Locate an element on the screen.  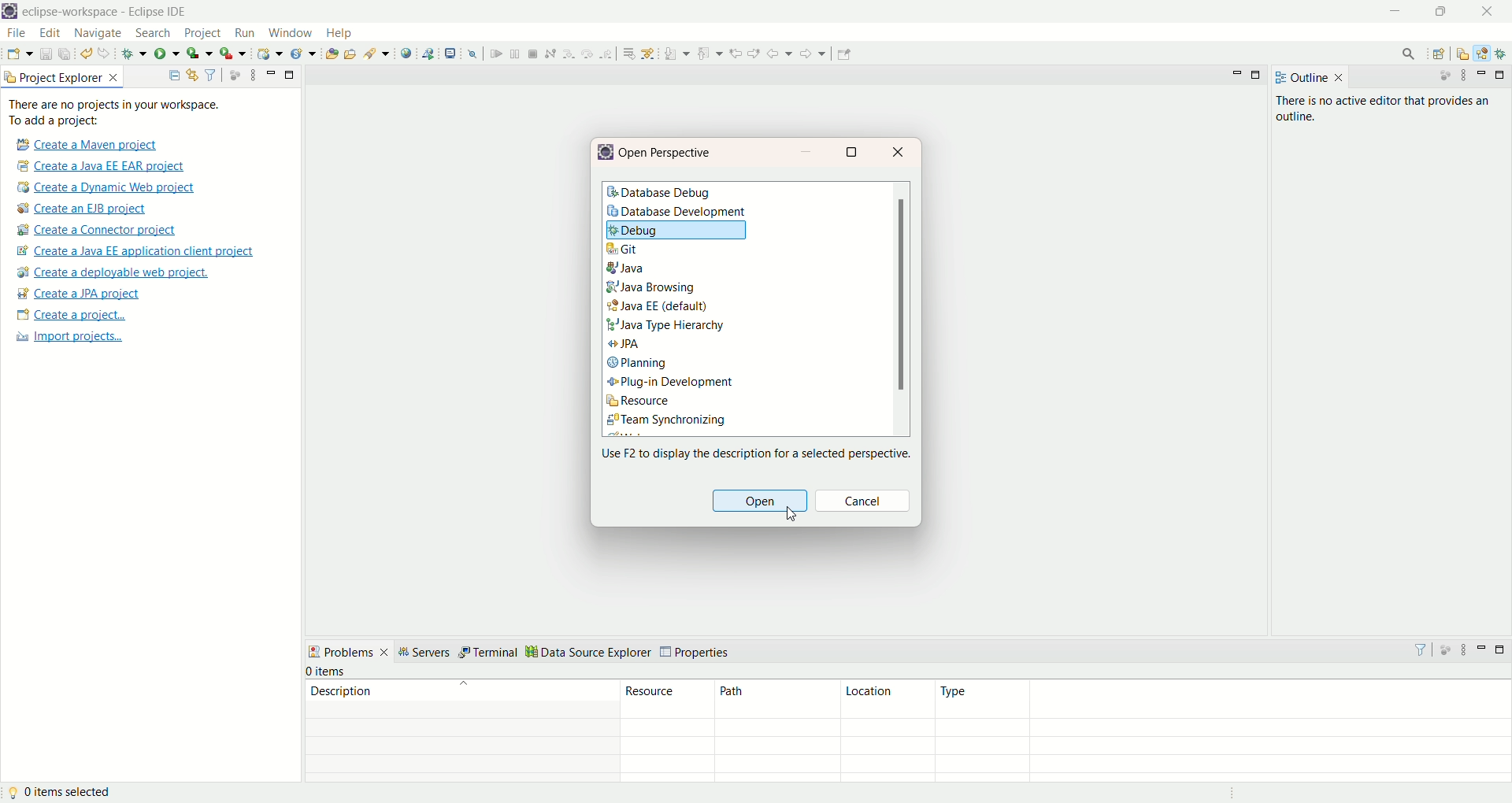
eclipse-workspace-Eclipse IDE is located at coordinates (107, 13).